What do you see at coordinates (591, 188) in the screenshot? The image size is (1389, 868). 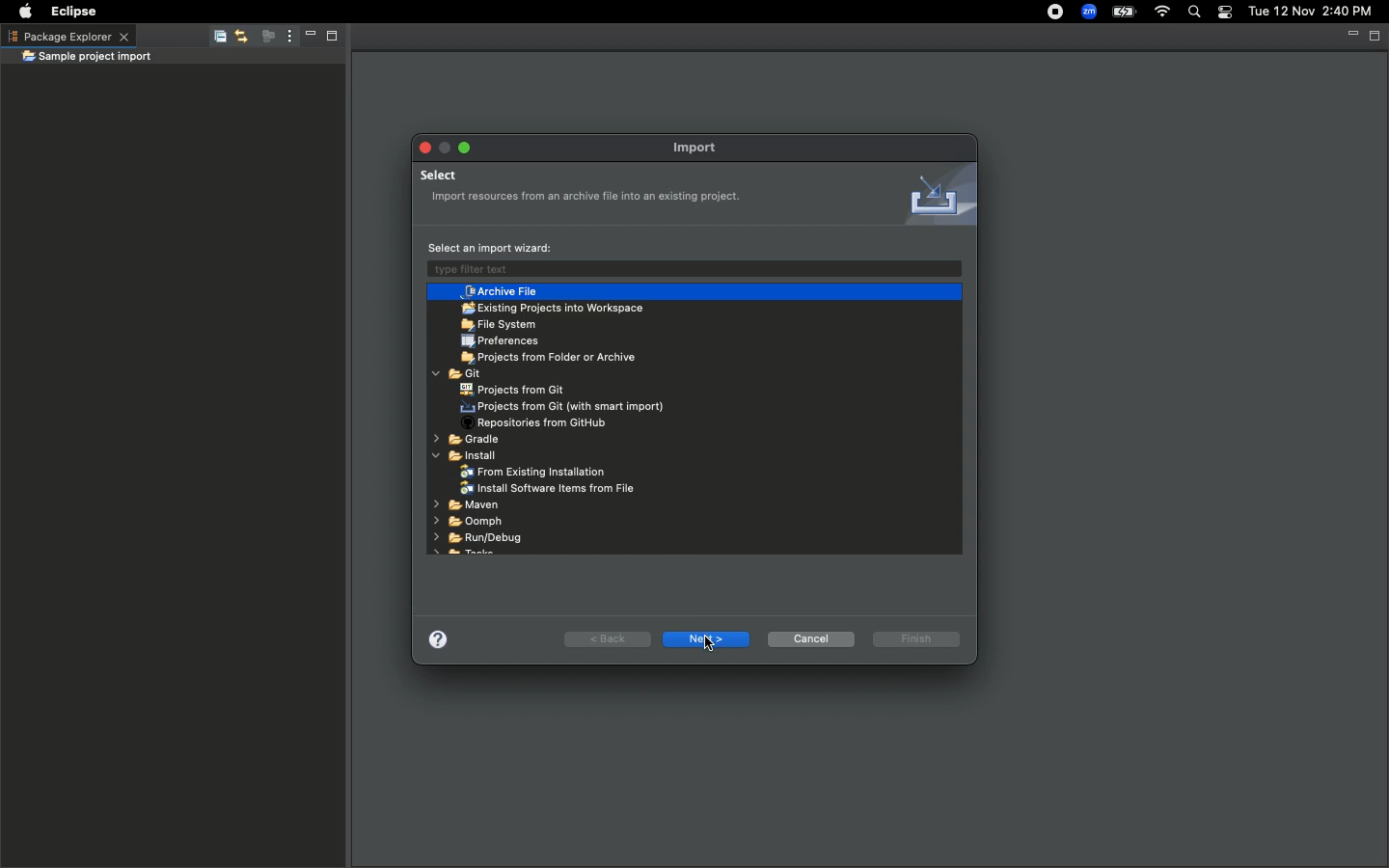 I see `Select` at bounding box center [591, 188].